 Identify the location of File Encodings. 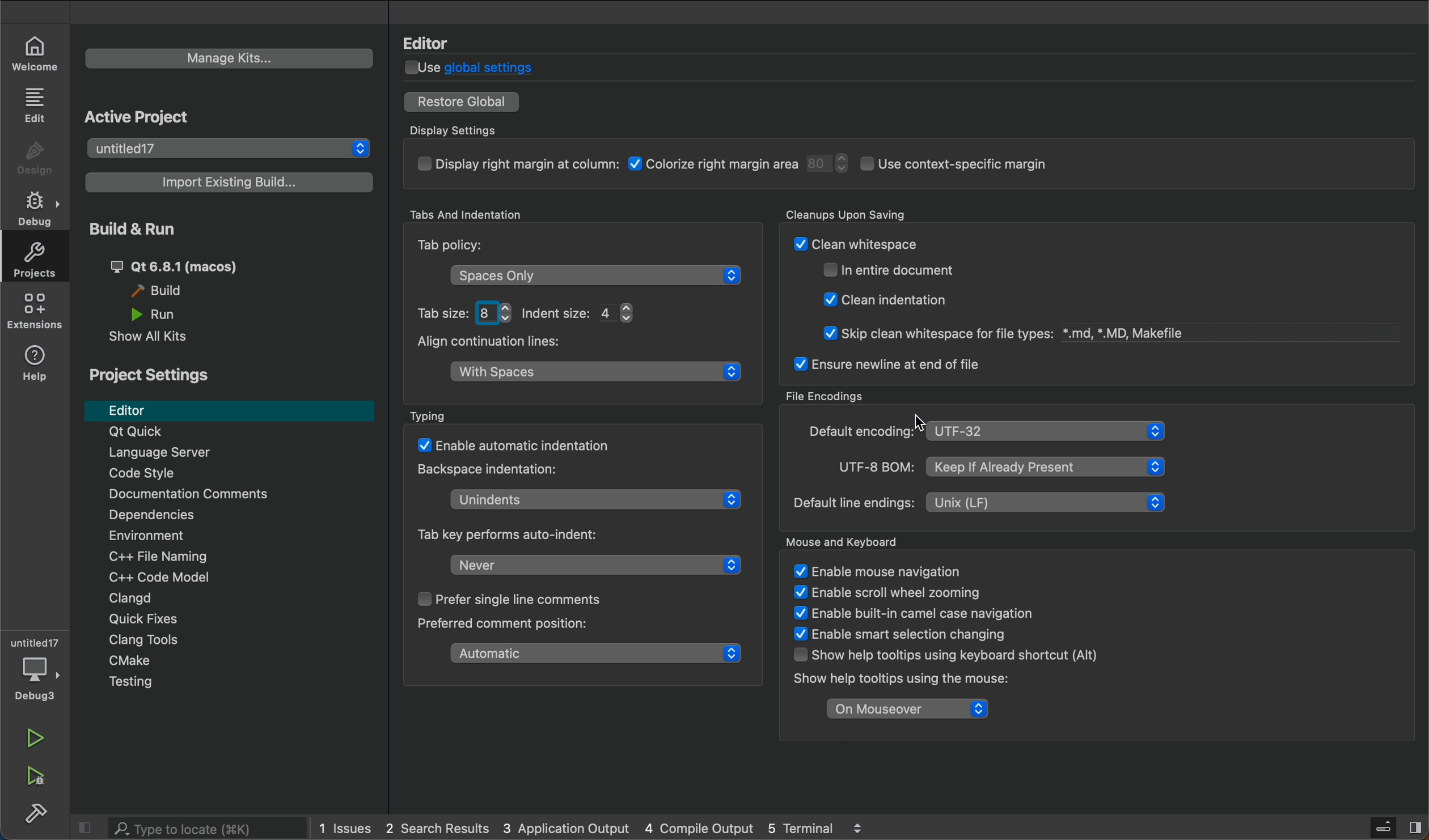
(829, 397).